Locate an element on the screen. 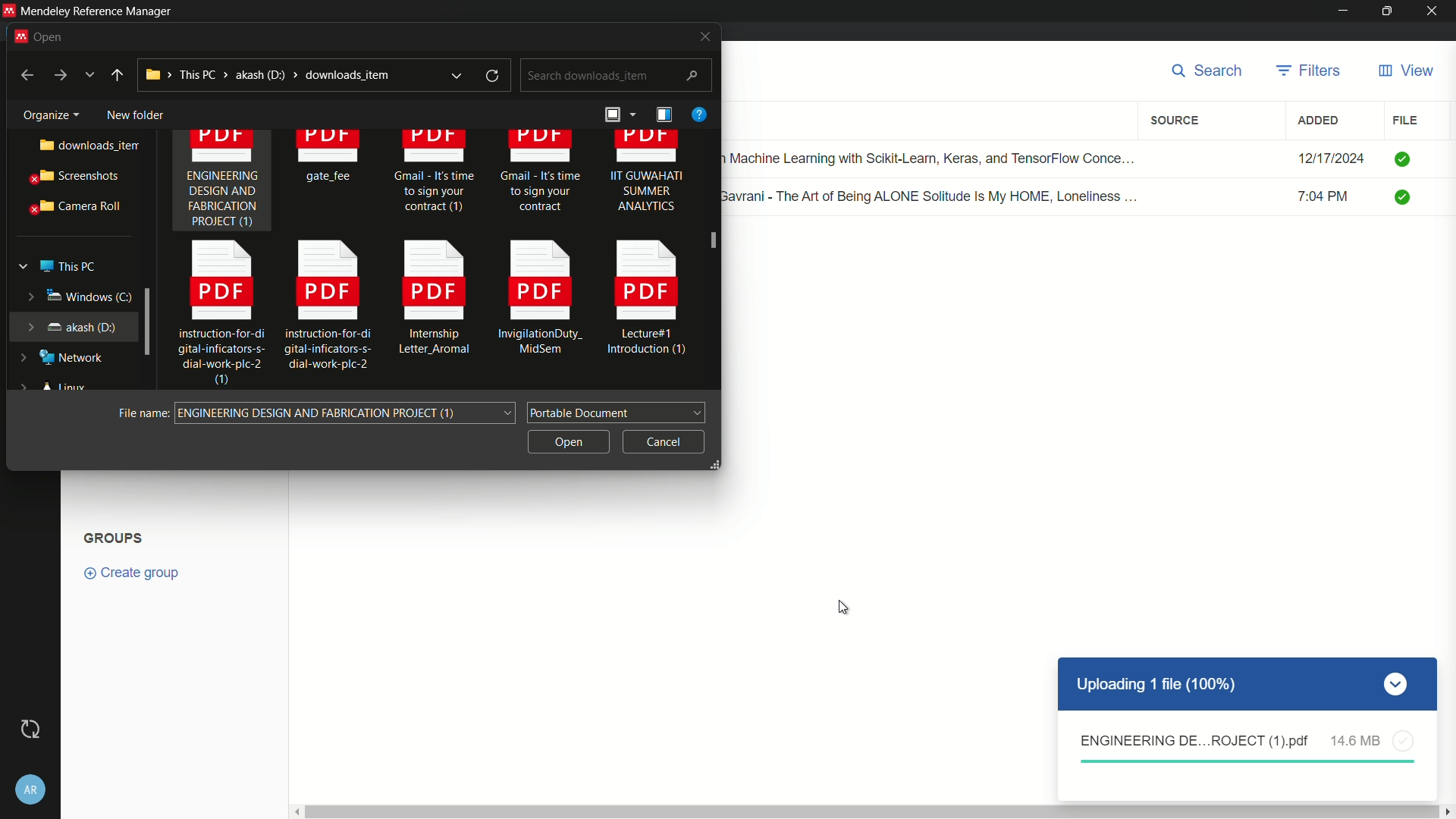 The height and width of the screenshot is (819, 1456). close is located at coordinates (1436, 11).